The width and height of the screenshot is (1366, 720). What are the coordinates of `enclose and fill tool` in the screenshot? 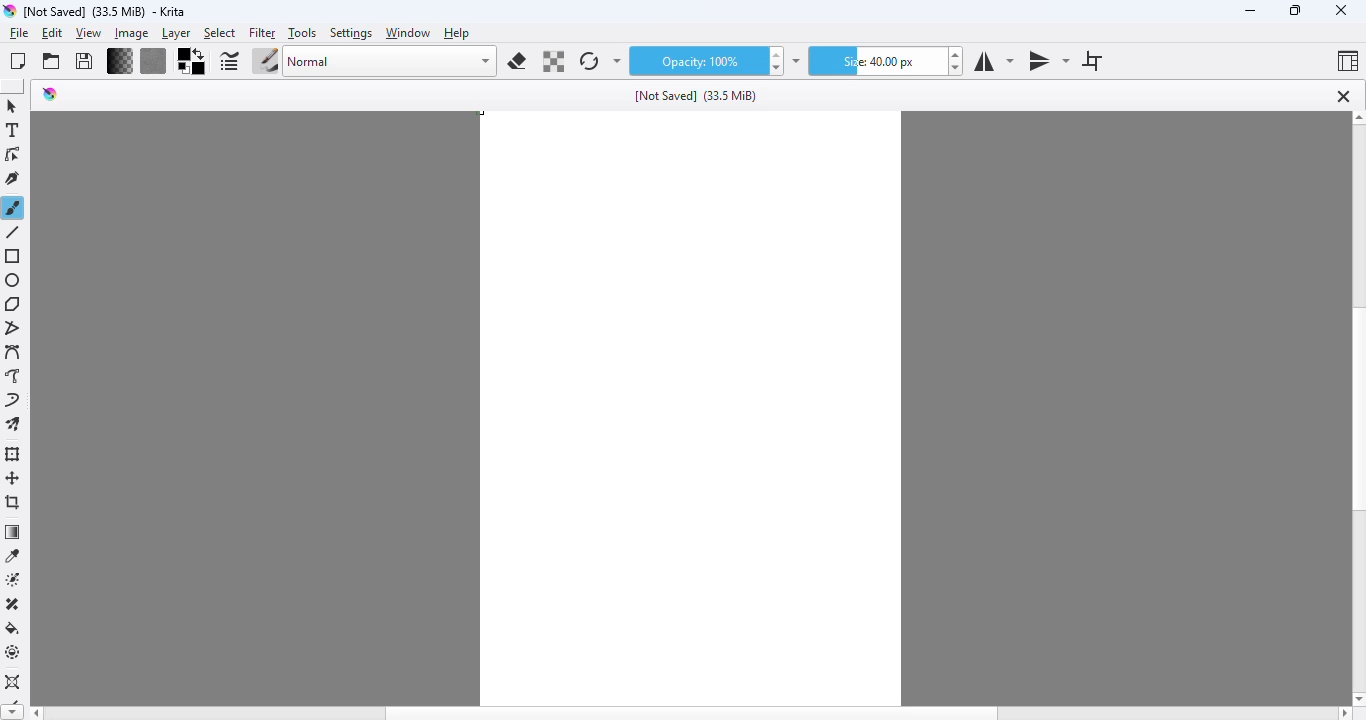 It's located at (13, 652).